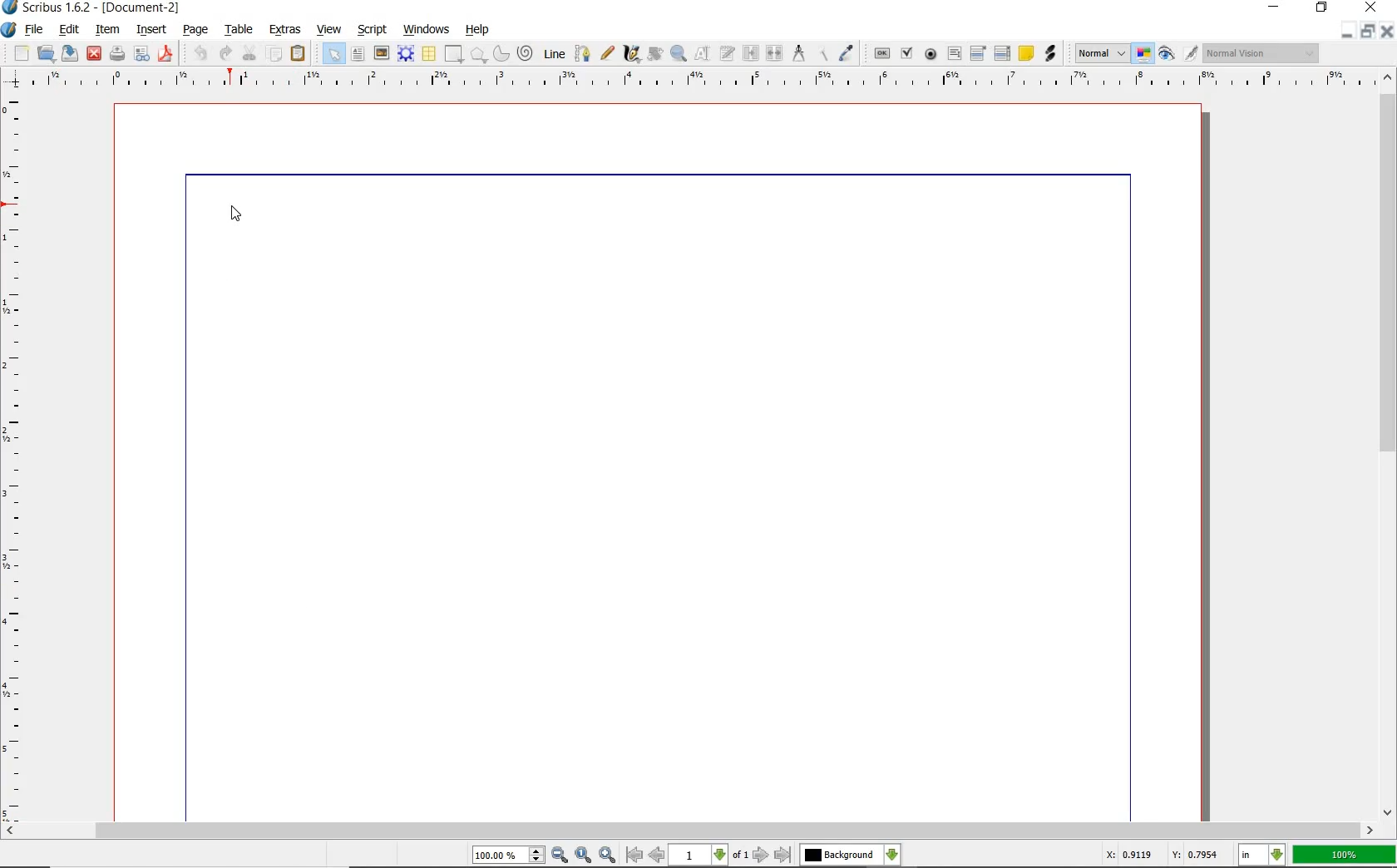  I want to click on zoom out, so click(560, 856).